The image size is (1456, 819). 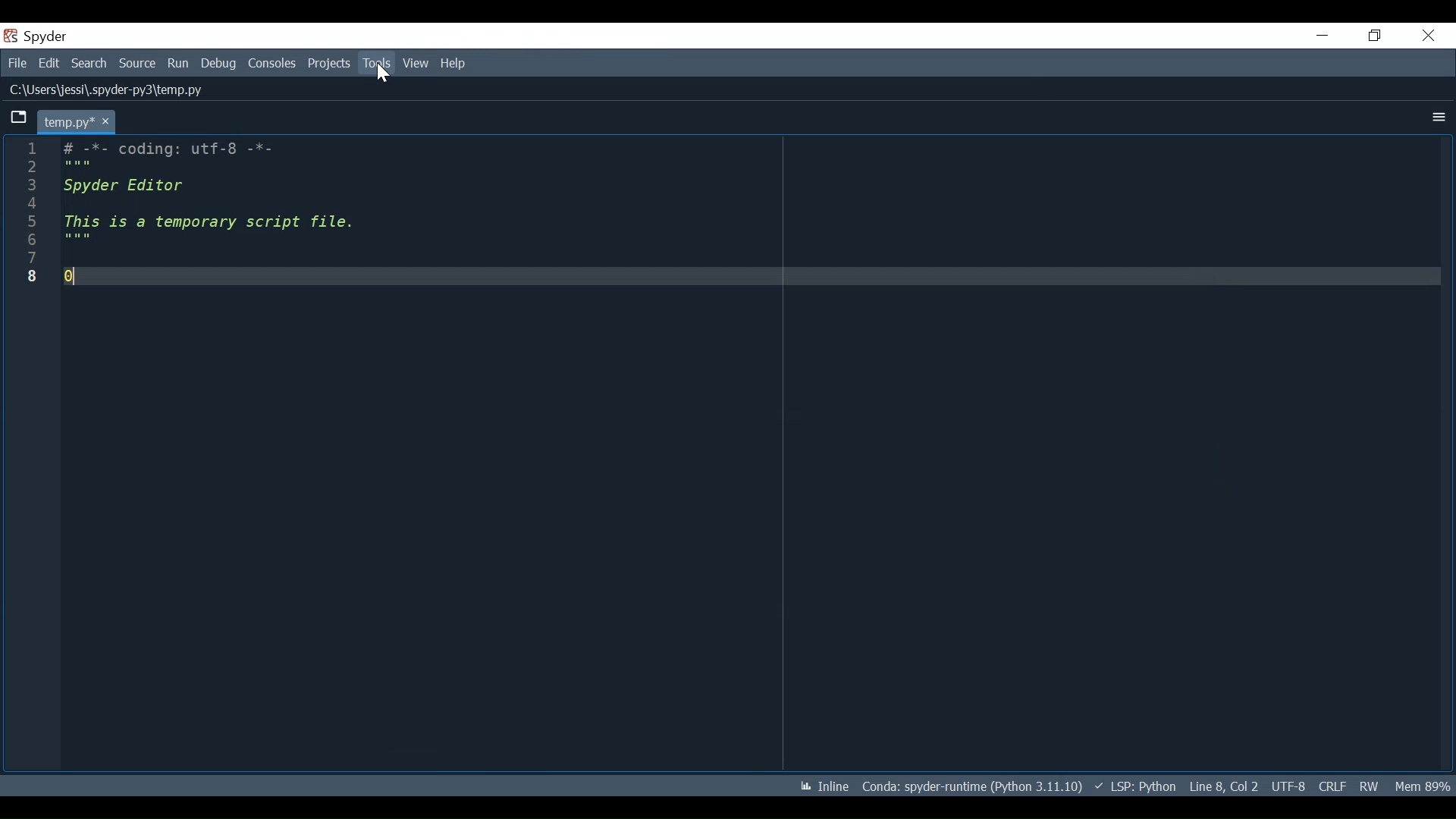 I want to click on Source, so click(x=137, y=63).